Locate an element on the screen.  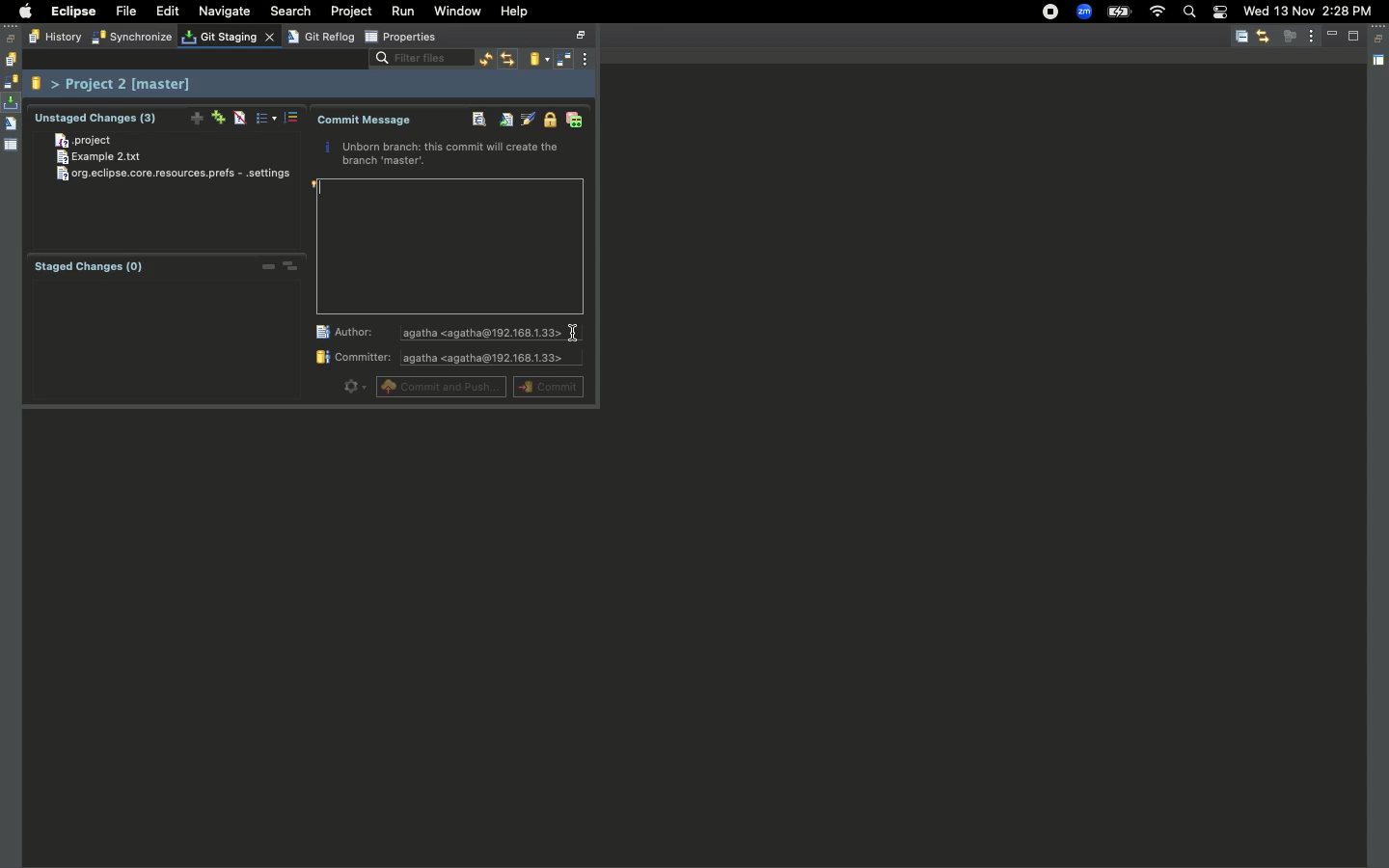
Search is located at coordinates (1188, 14).